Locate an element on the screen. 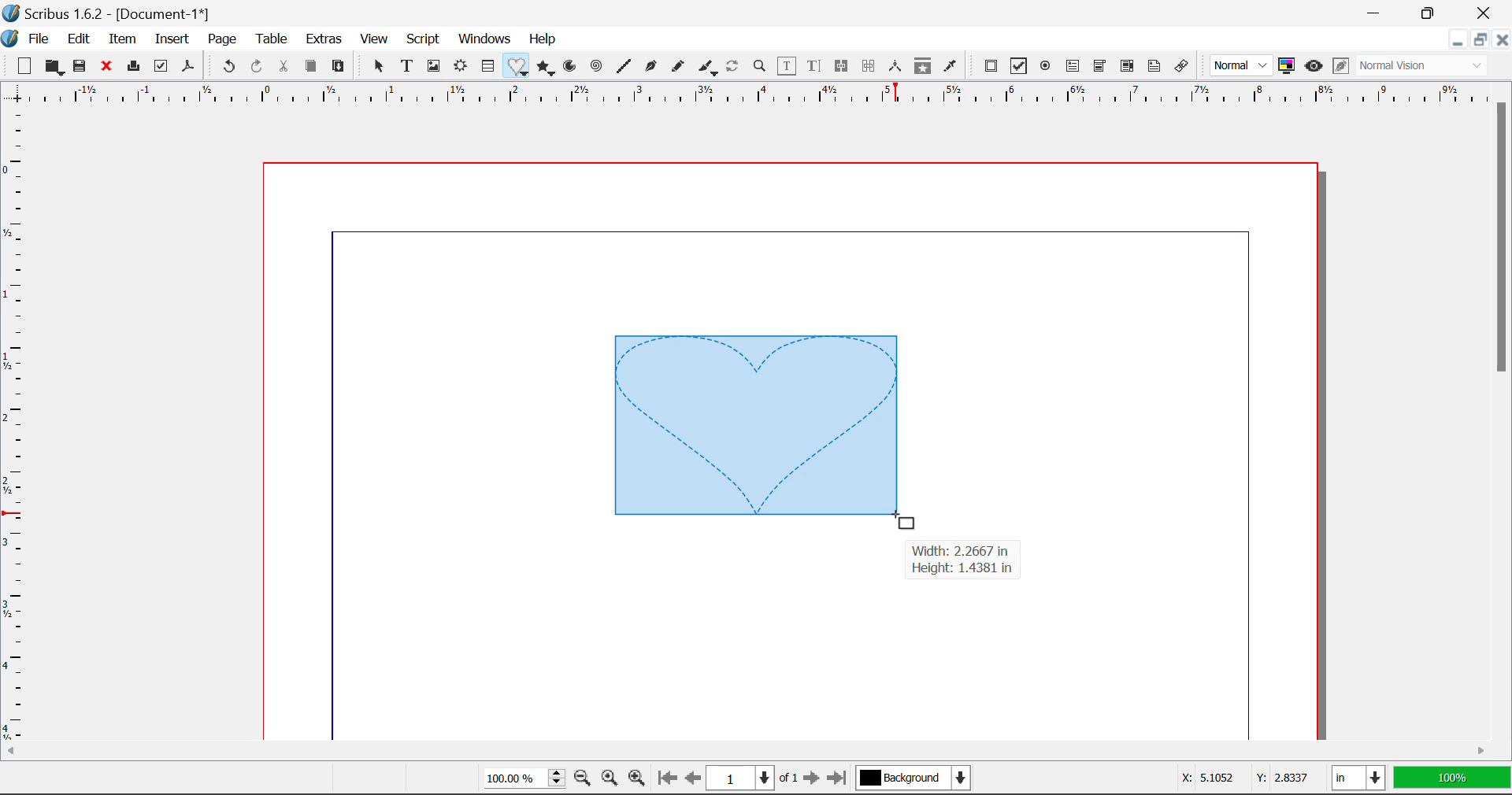 This screenshot has height=795, width=1512. Table is located at coordinates (274, 39).